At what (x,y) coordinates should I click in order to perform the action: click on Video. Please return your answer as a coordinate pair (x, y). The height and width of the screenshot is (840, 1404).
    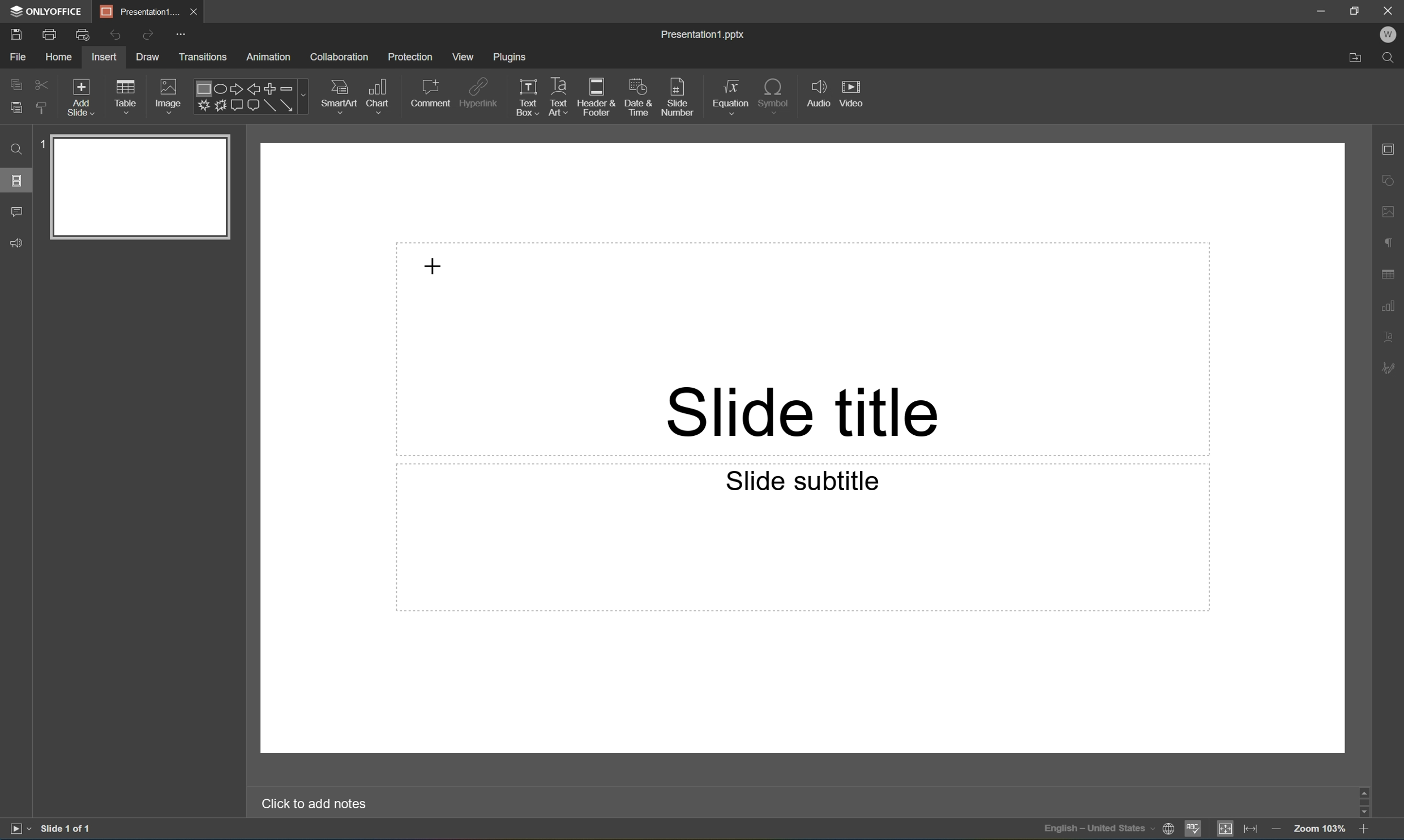
    Looking at the image, I should click on (850, 92).